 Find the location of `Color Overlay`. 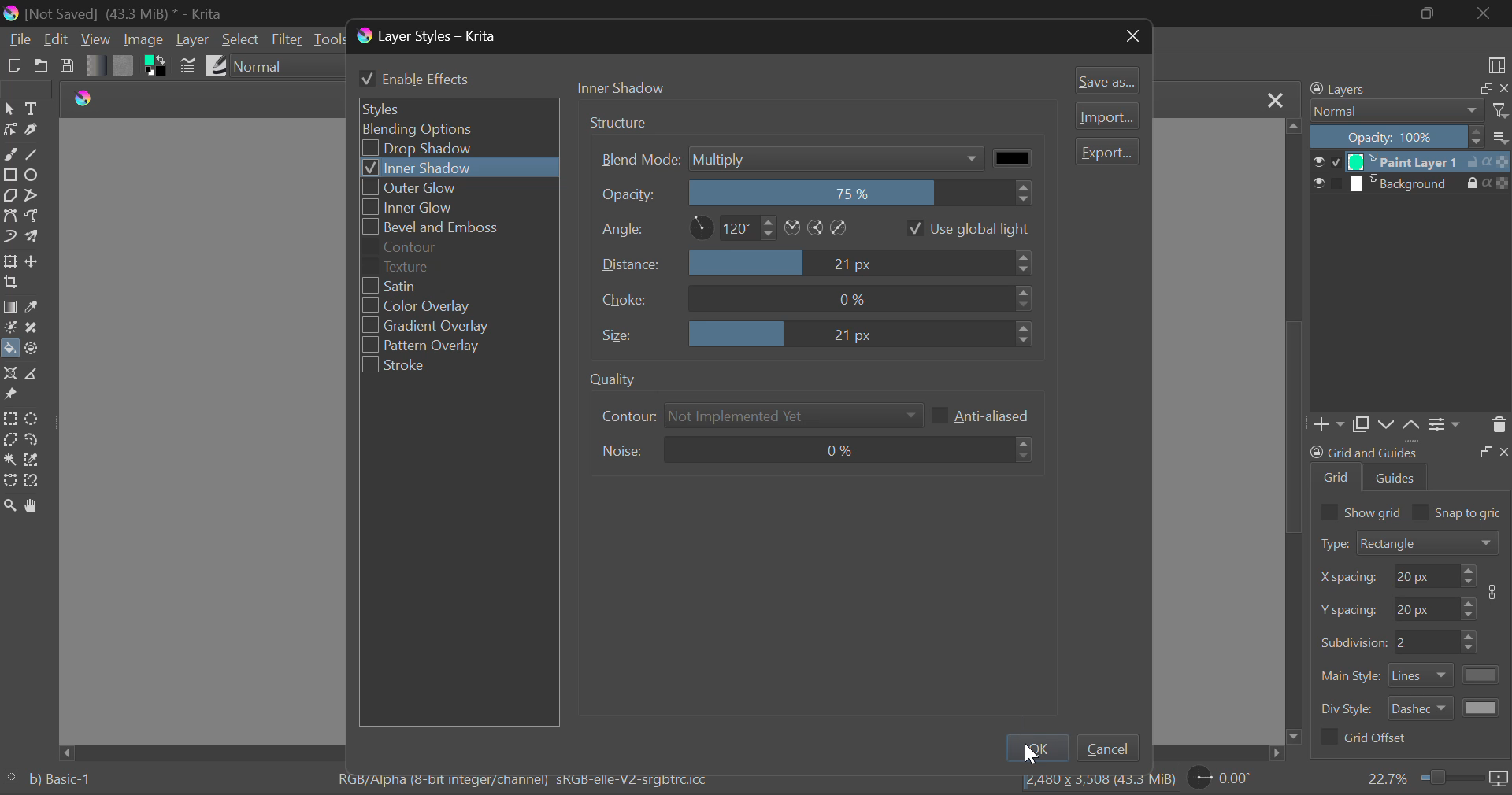

Color Overlay is located at coordinates (432, 305).